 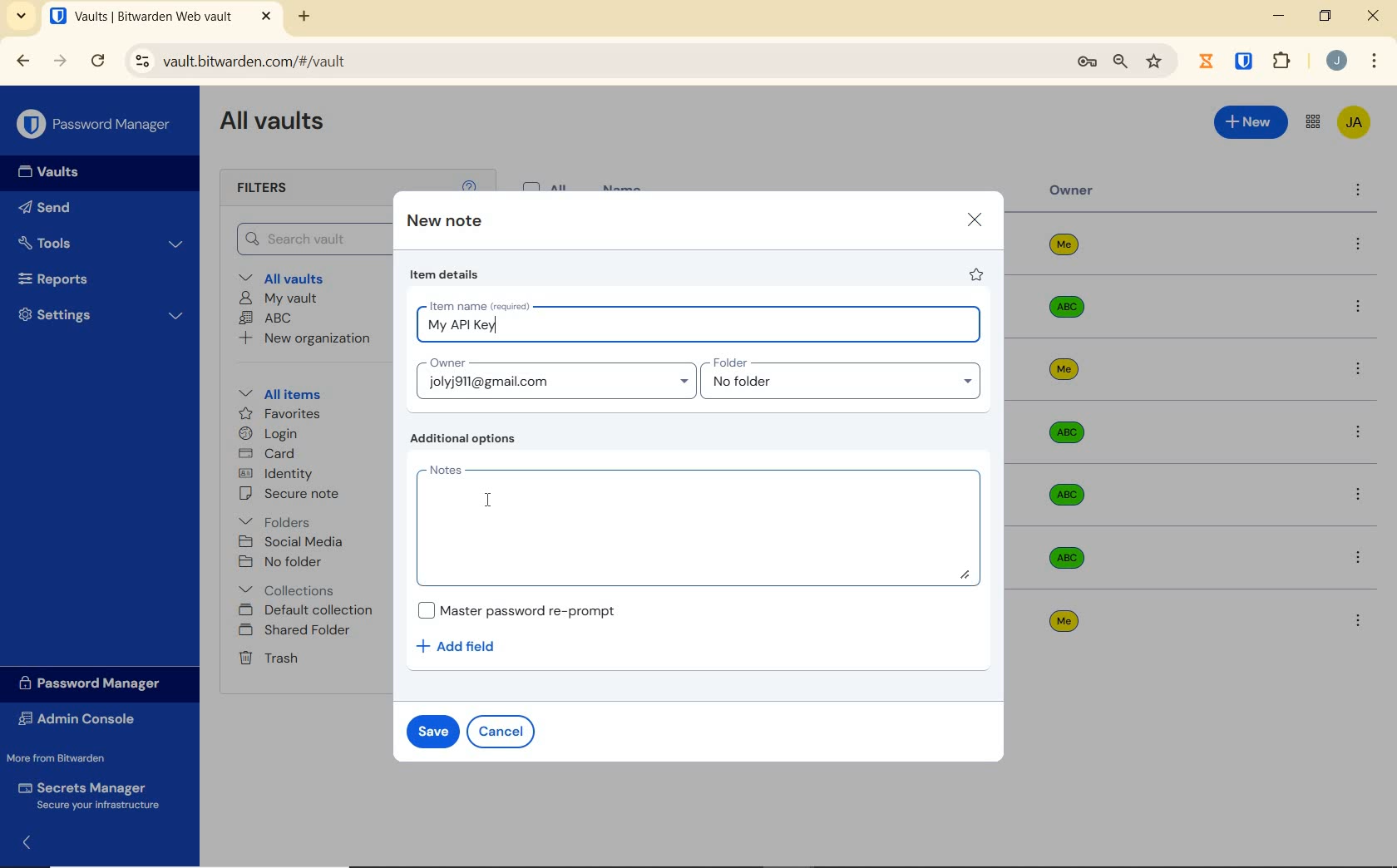 I want to click on Input Owner, so click(x=553, y=377).